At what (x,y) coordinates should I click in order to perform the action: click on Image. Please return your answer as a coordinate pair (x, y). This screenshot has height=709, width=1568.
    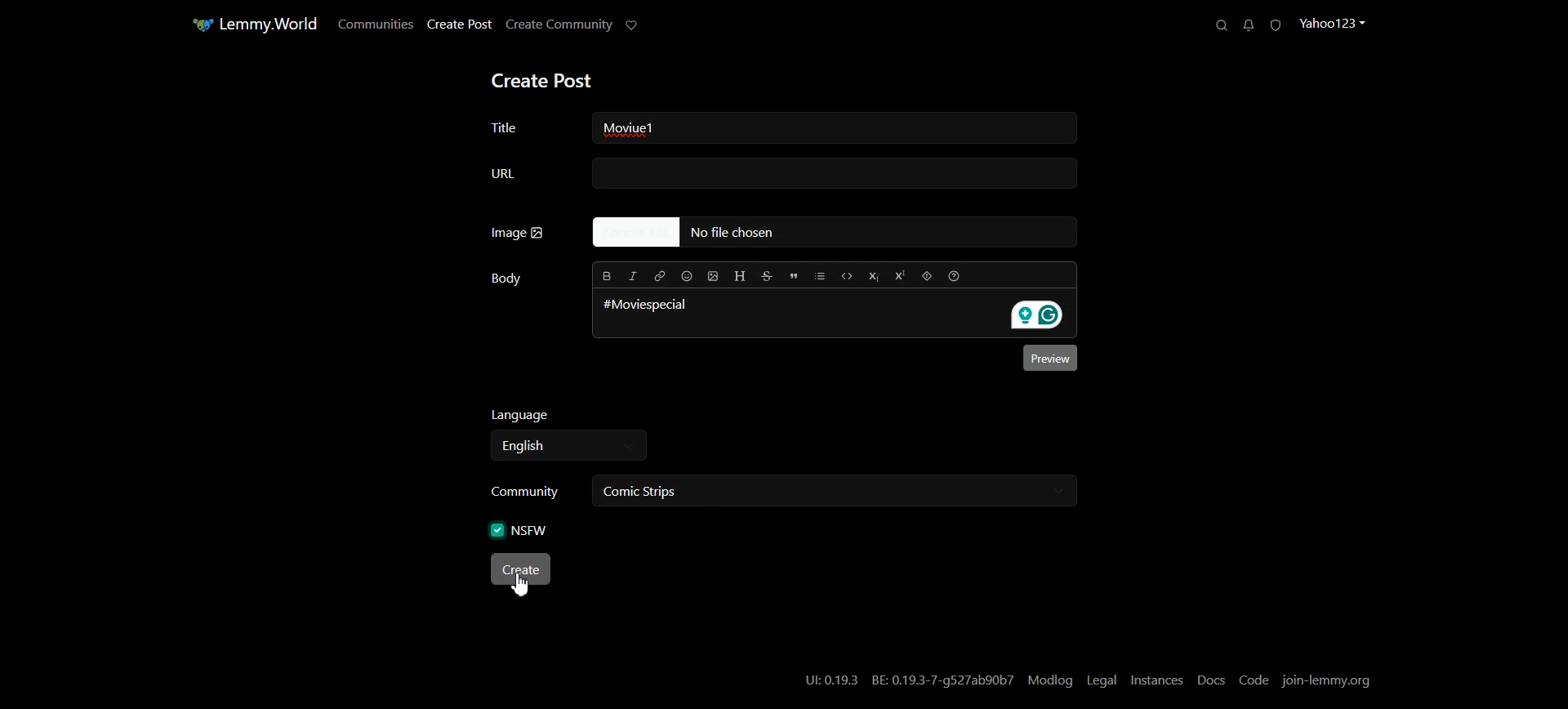
    Looking at the image, I should click on (518, 233).